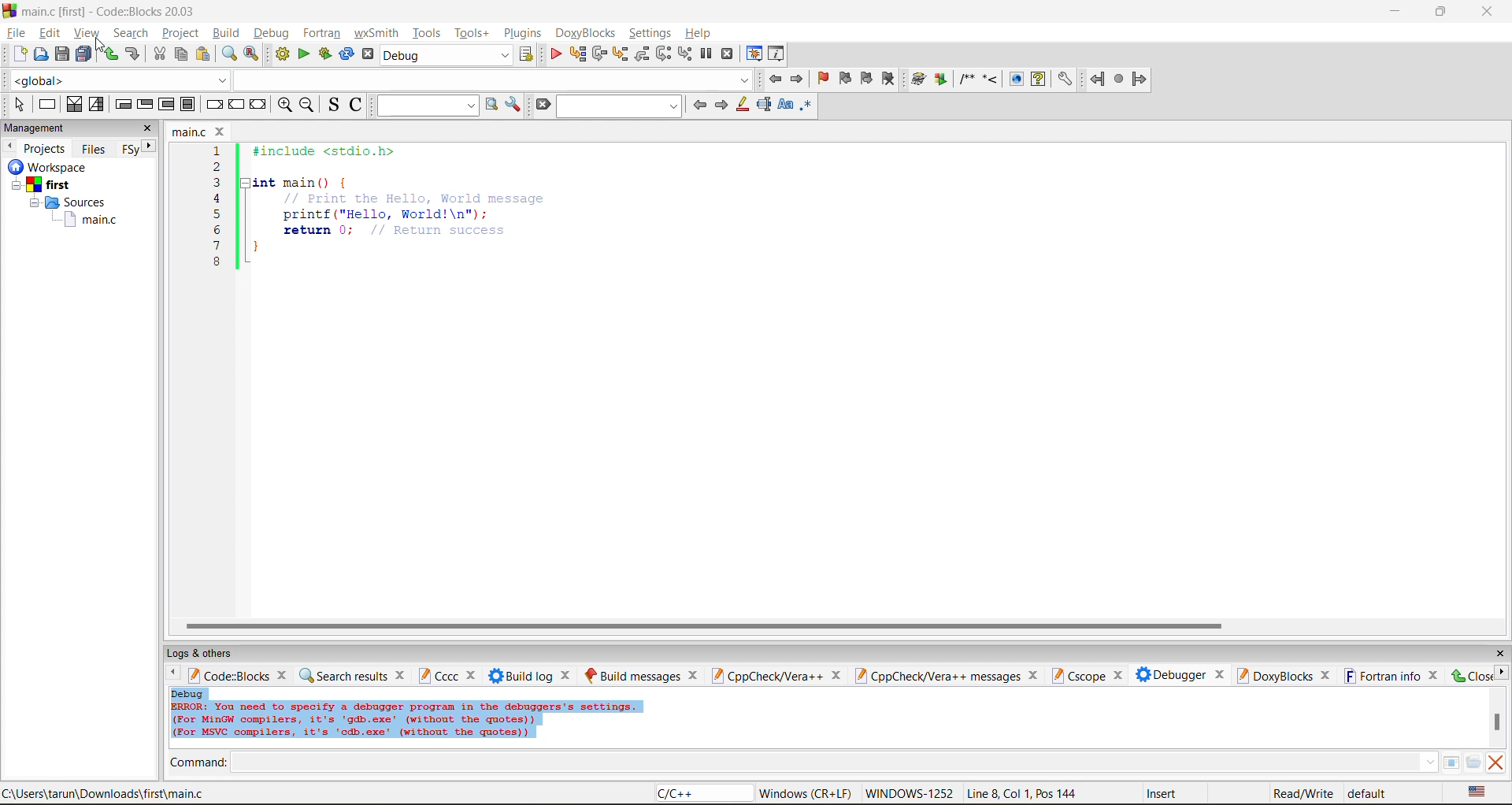  I want to click on use regex, so click(808, 106).